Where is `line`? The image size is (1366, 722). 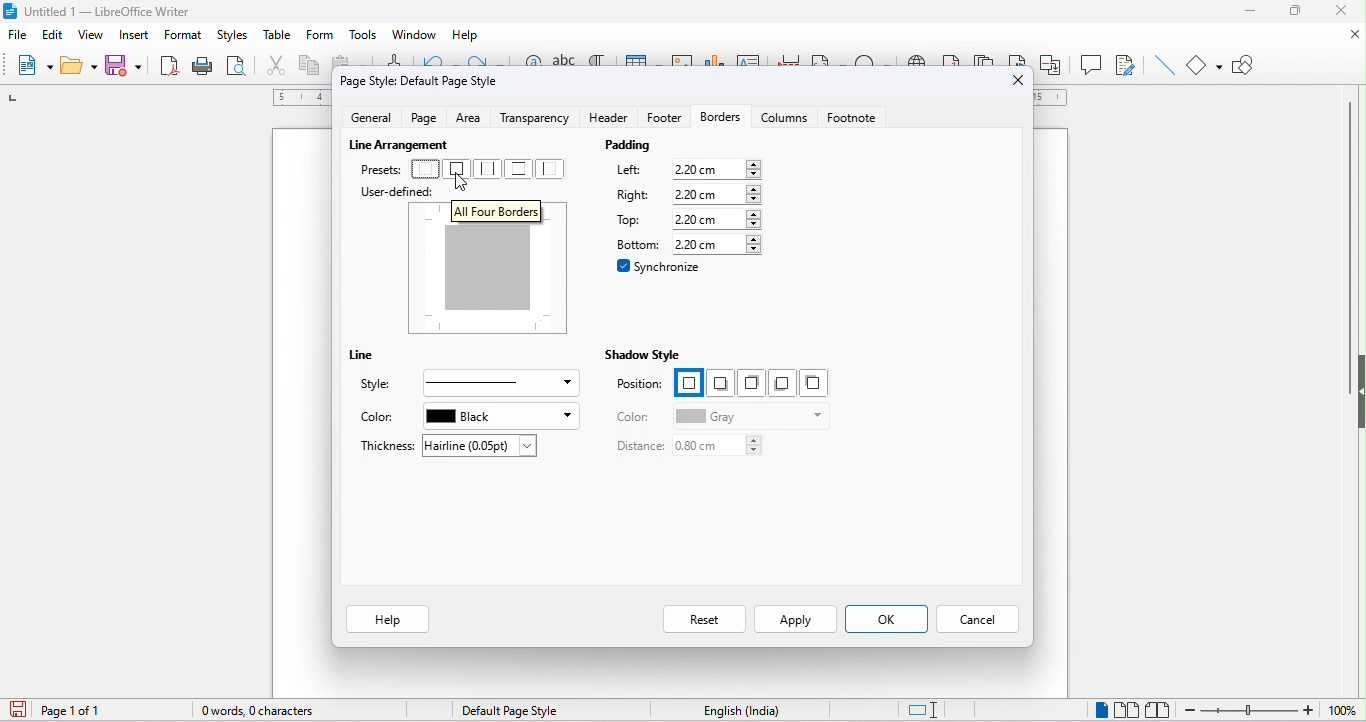 line is located at coordinates (1162, 64).